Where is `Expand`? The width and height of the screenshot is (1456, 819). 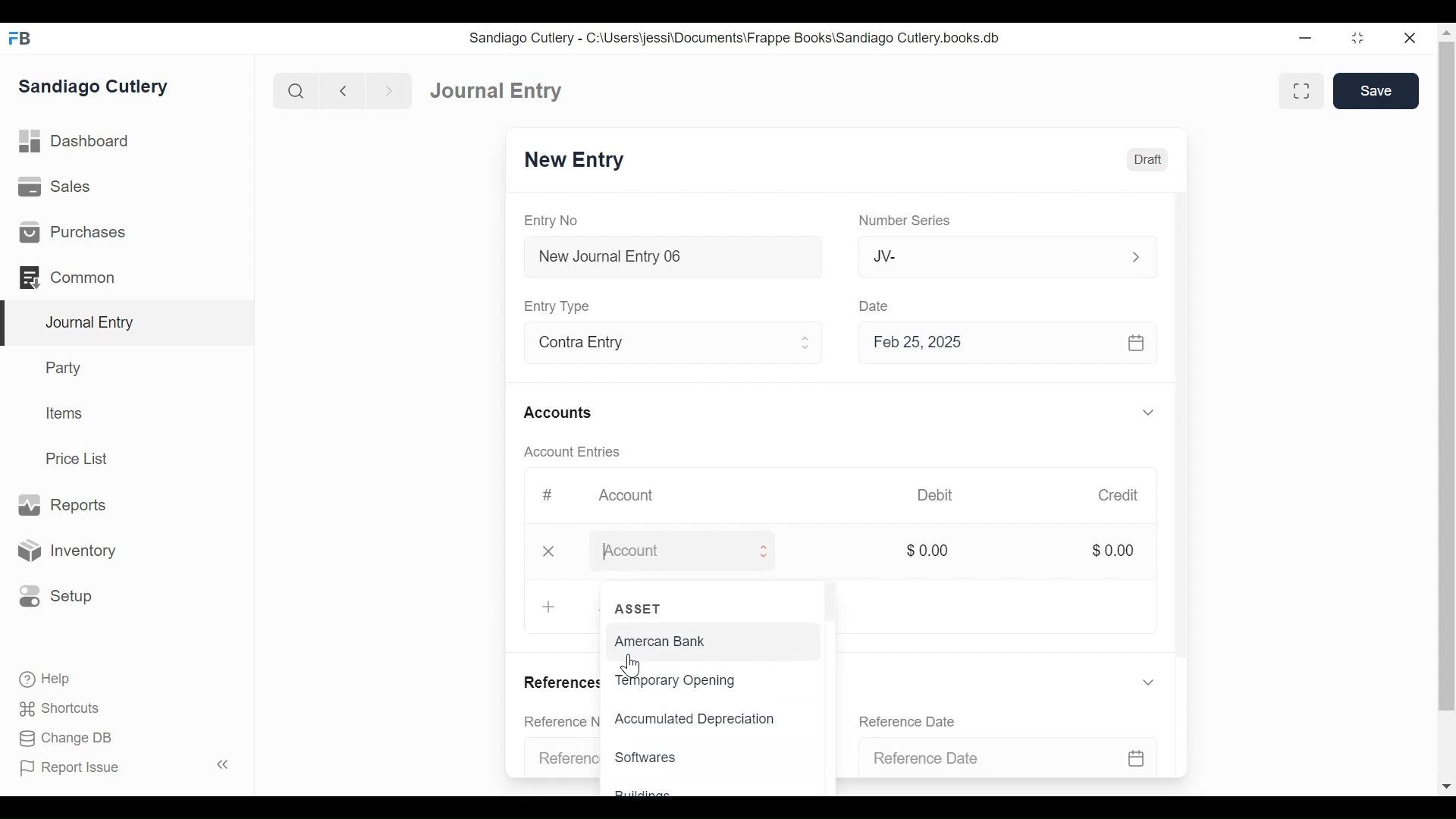
Expand is located at coordinates (1149, 682).